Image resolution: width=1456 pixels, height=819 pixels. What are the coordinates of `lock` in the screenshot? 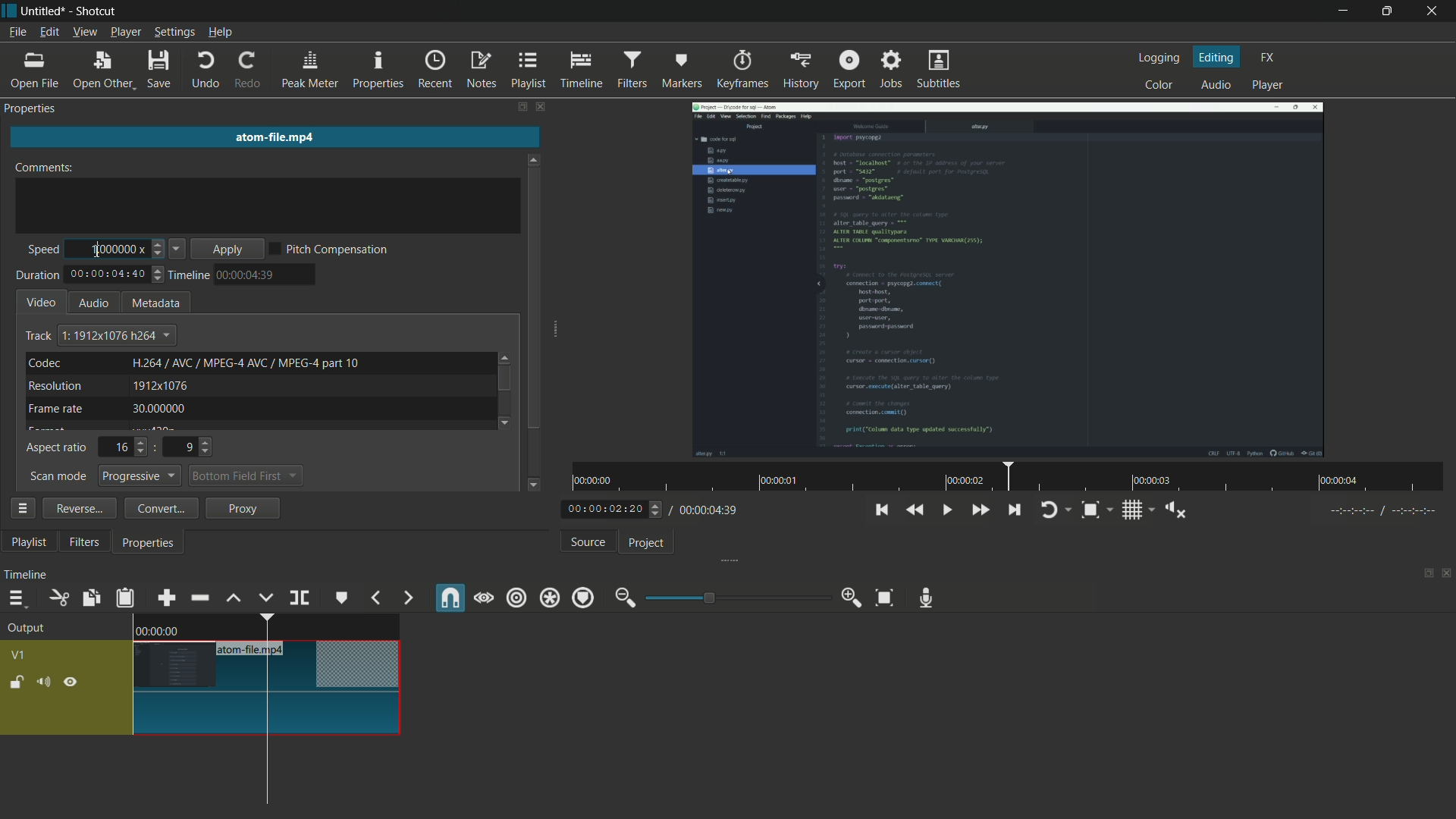 It's located at (17, 683).